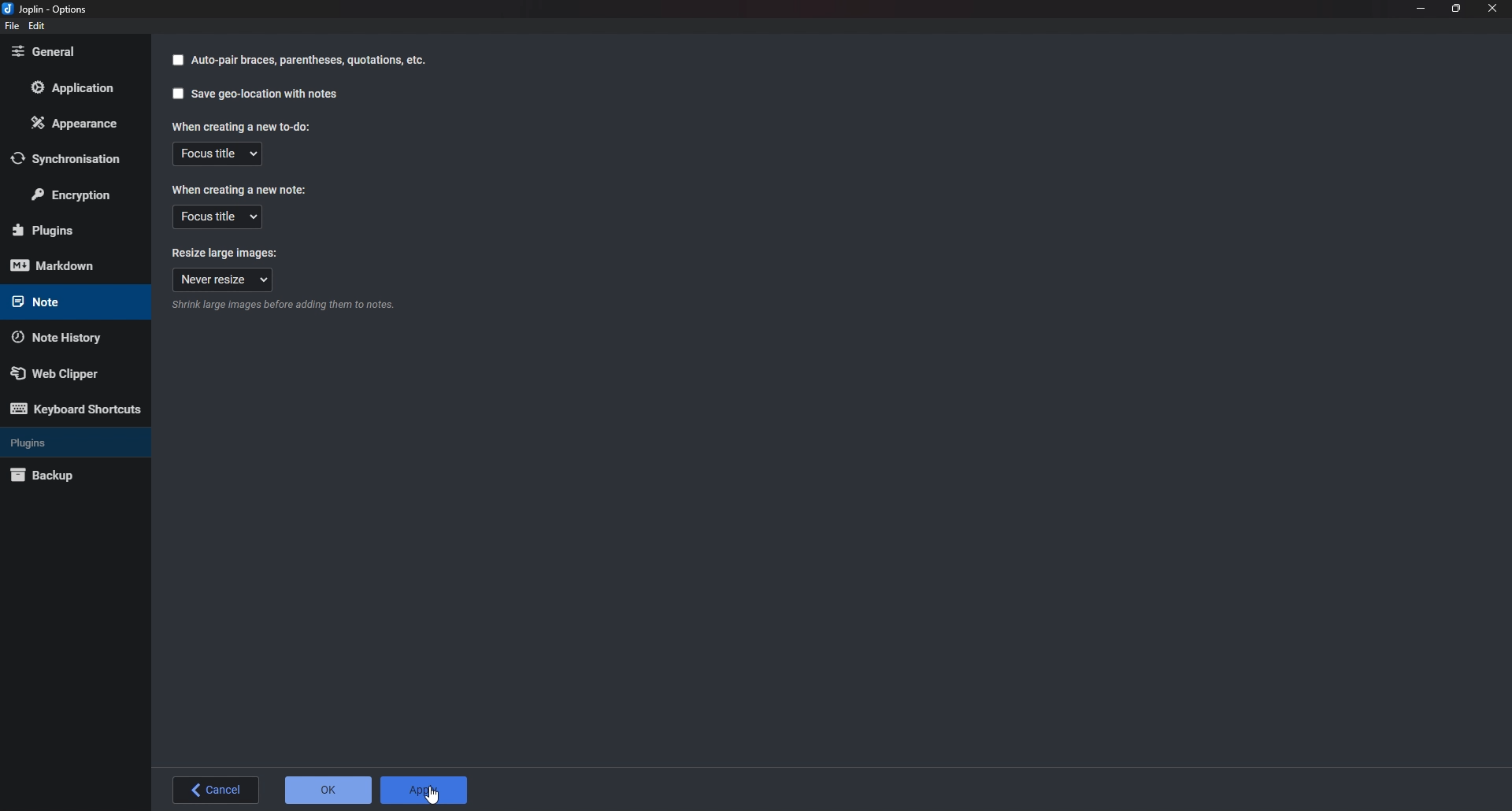 The image size is (1512, 811). Describe the element at coordinates (73, 158) in the screenshot. I see `Synchronization` at that location.